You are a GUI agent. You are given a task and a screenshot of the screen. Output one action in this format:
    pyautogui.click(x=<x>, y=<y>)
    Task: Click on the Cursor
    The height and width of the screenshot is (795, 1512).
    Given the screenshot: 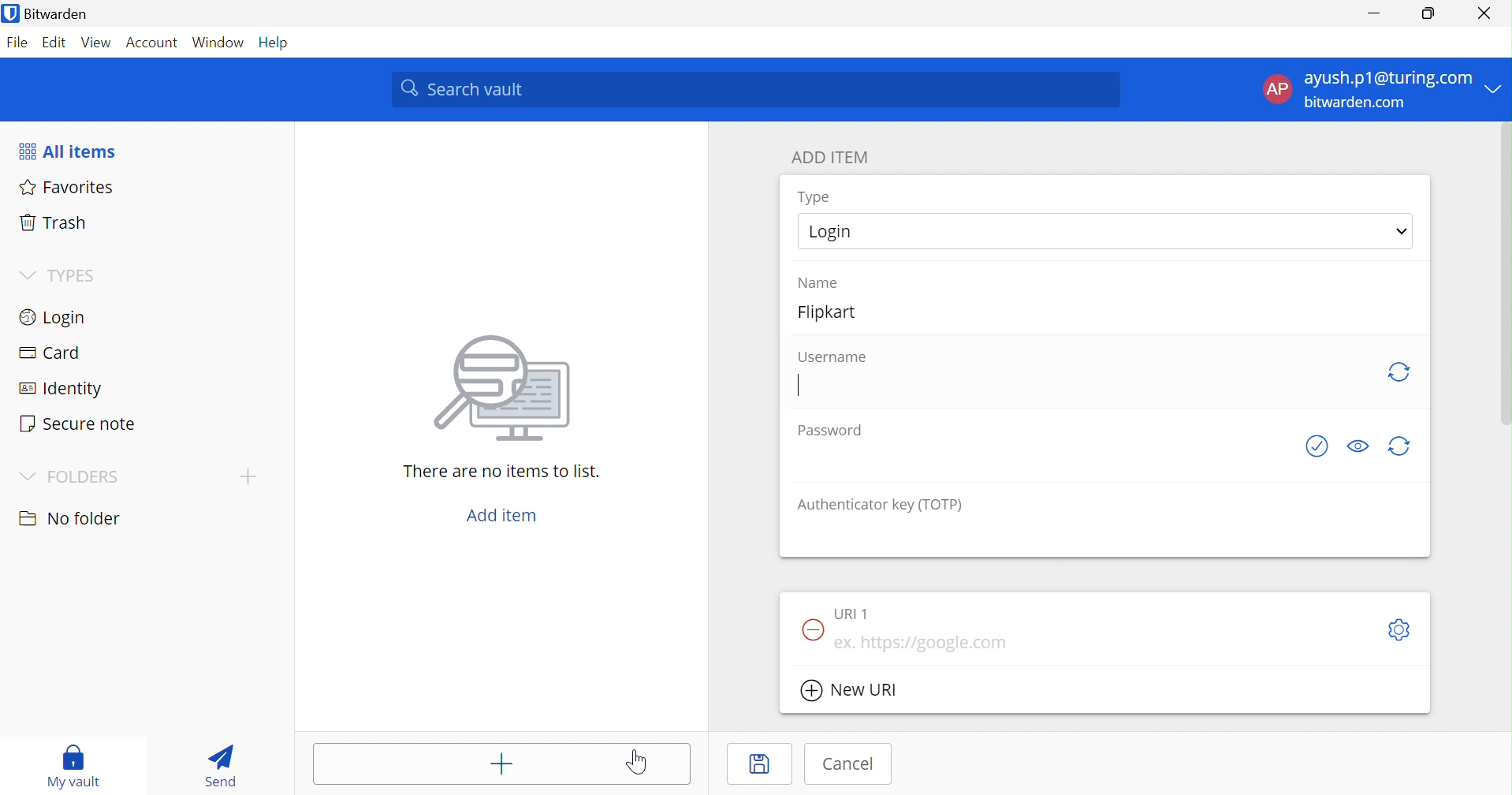 What is the action you would take?
    pyautogui.click(x=636, y=760)
    